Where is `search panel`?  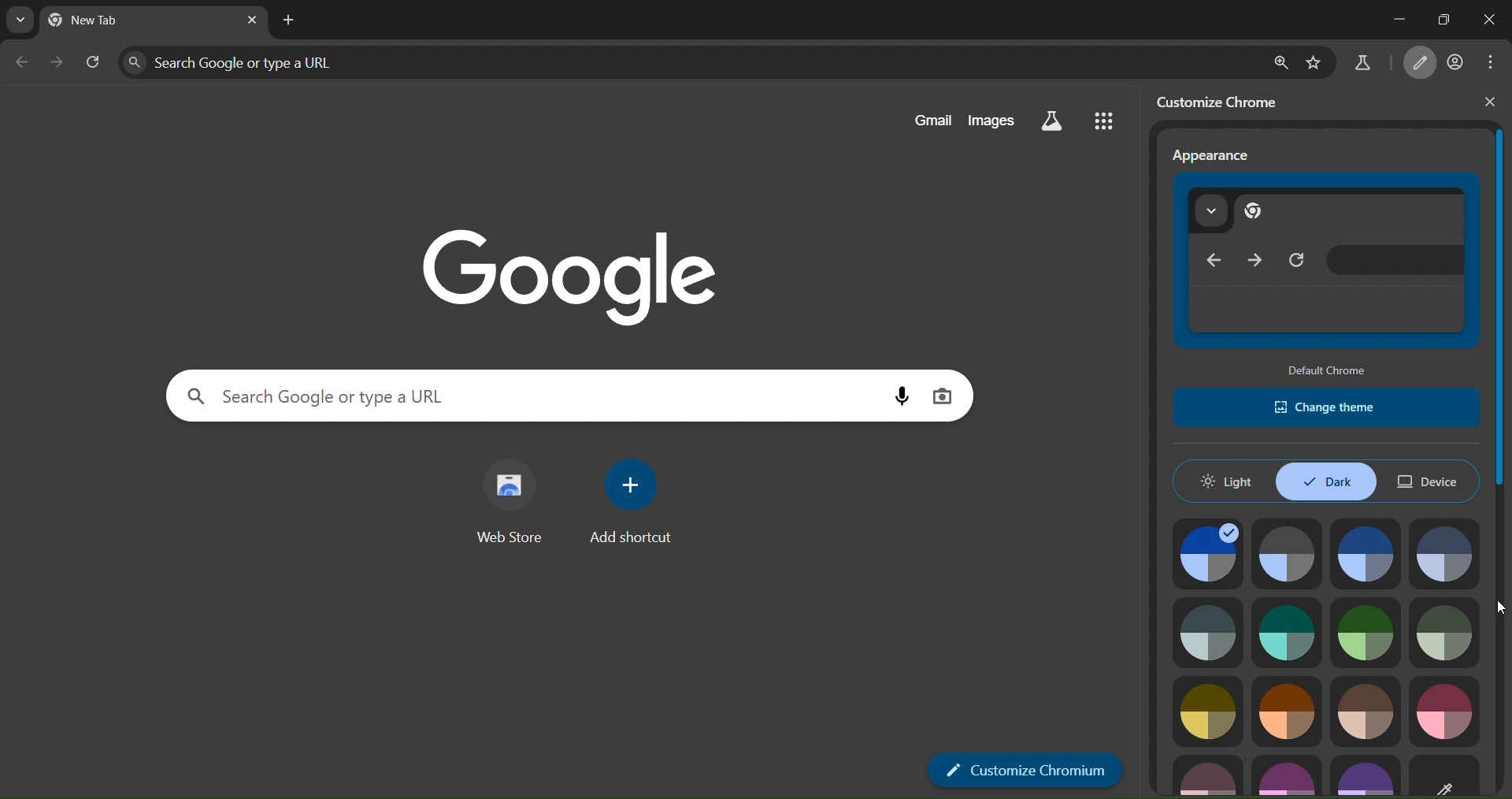 search panel is located at coordinates (687, 61).